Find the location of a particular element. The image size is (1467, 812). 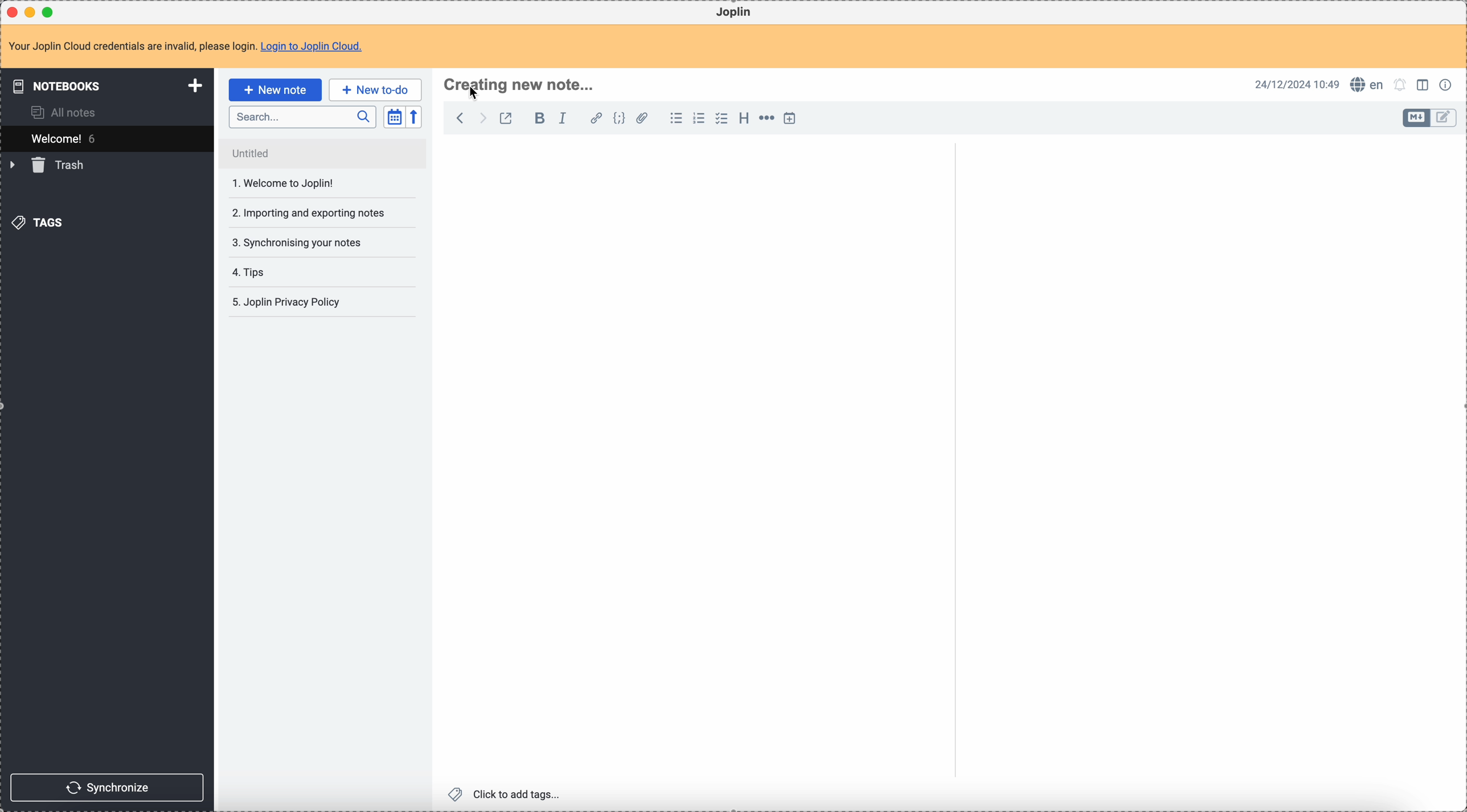

hyperlink is located at coordinates (596, 119).